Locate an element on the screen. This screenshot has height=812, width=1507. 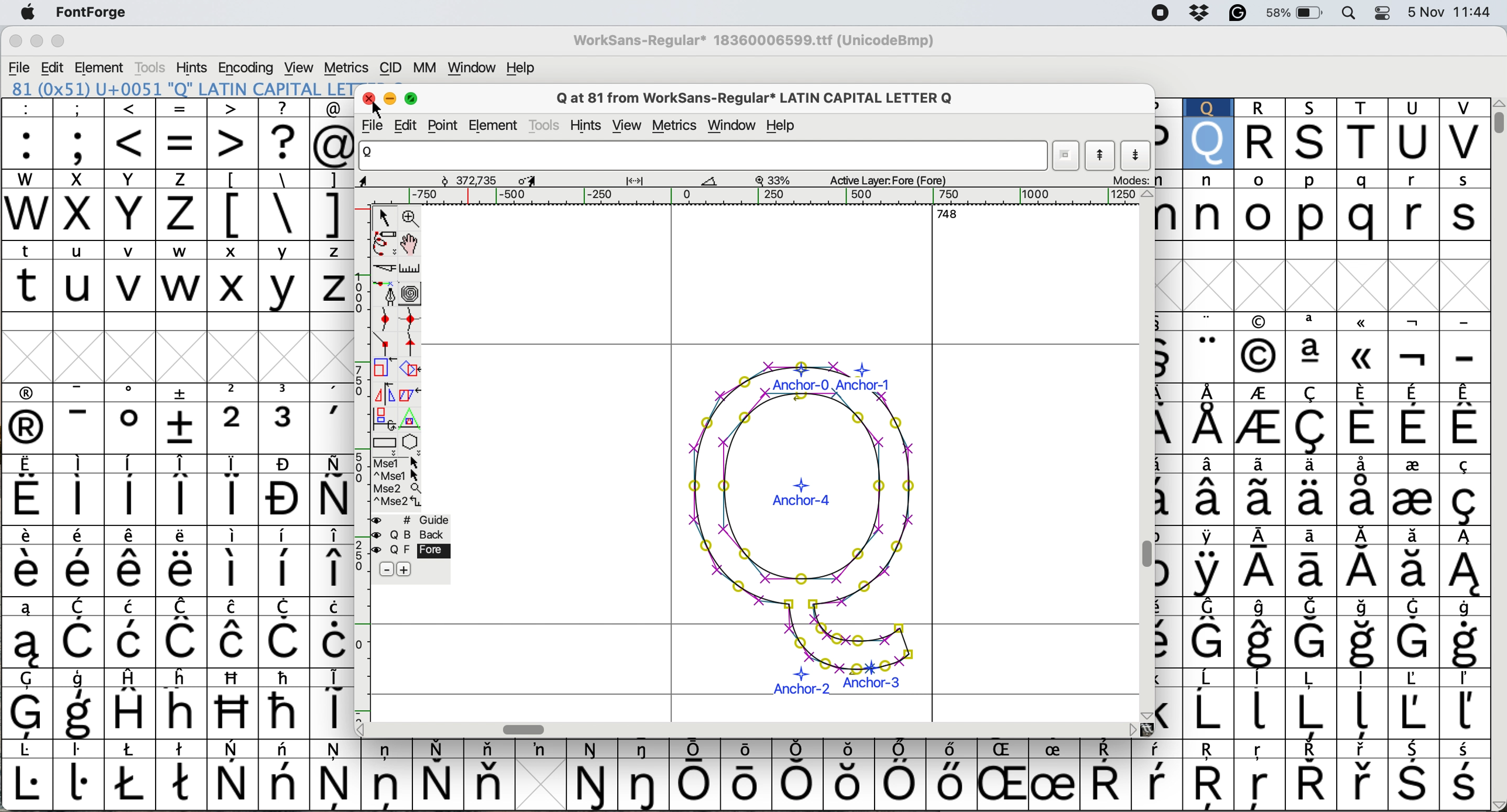
add a comer point is located at coordinates (386, 345).